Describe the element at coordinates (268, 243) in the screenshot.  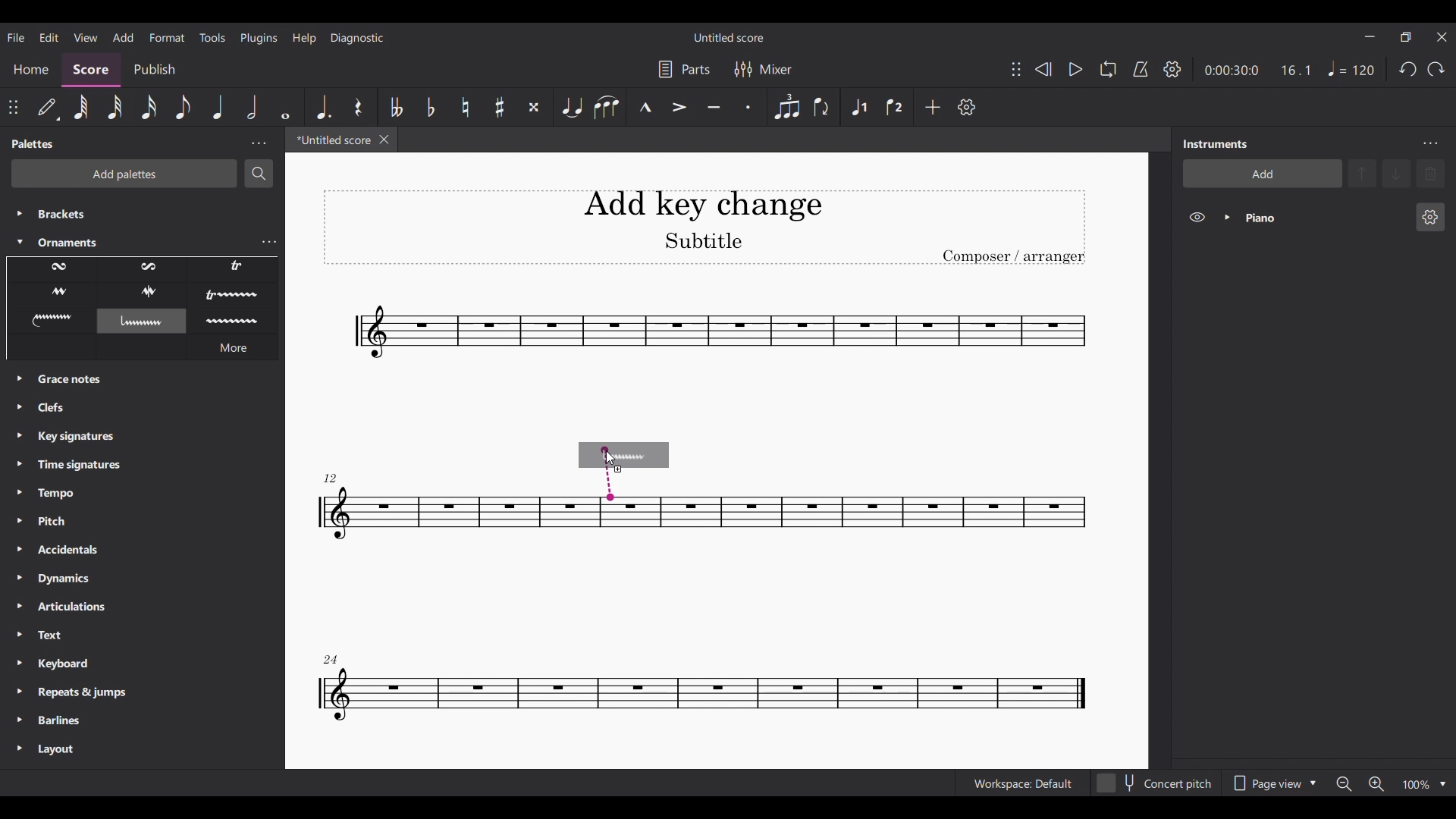
I see `Ornaments settings` at that location.